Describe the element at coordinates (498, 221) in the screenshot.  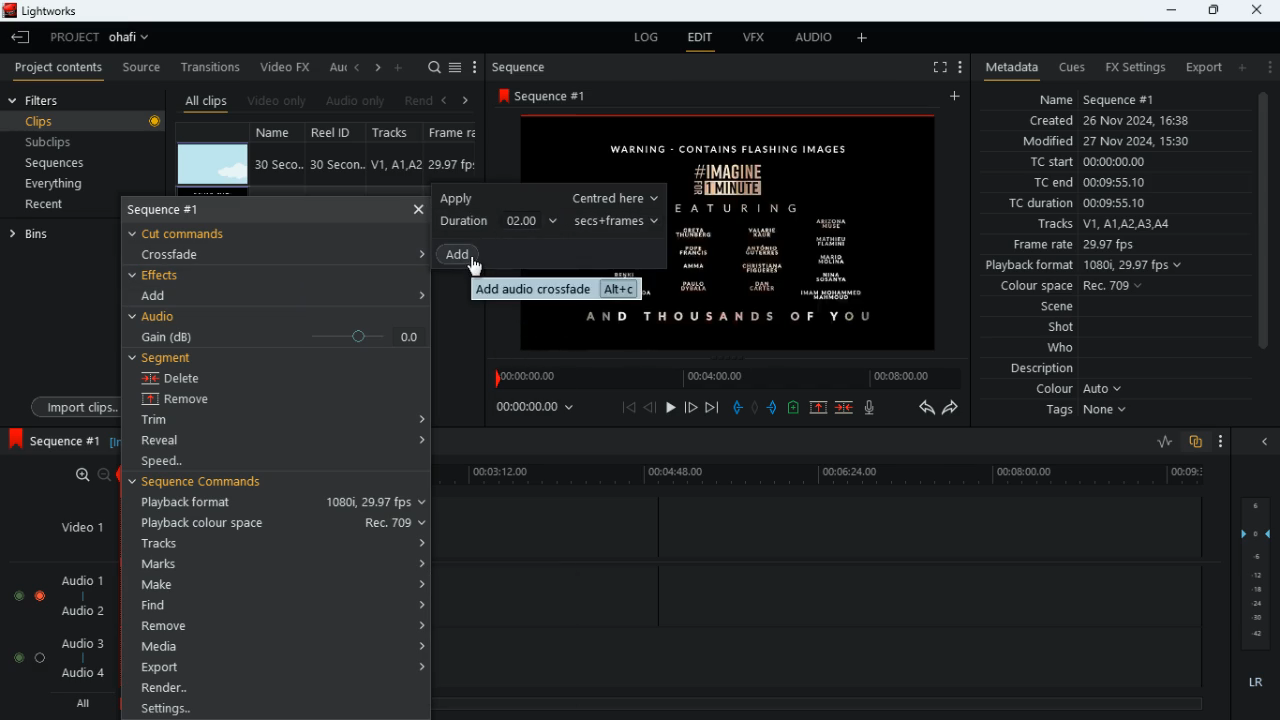
I see `duration` at that location.